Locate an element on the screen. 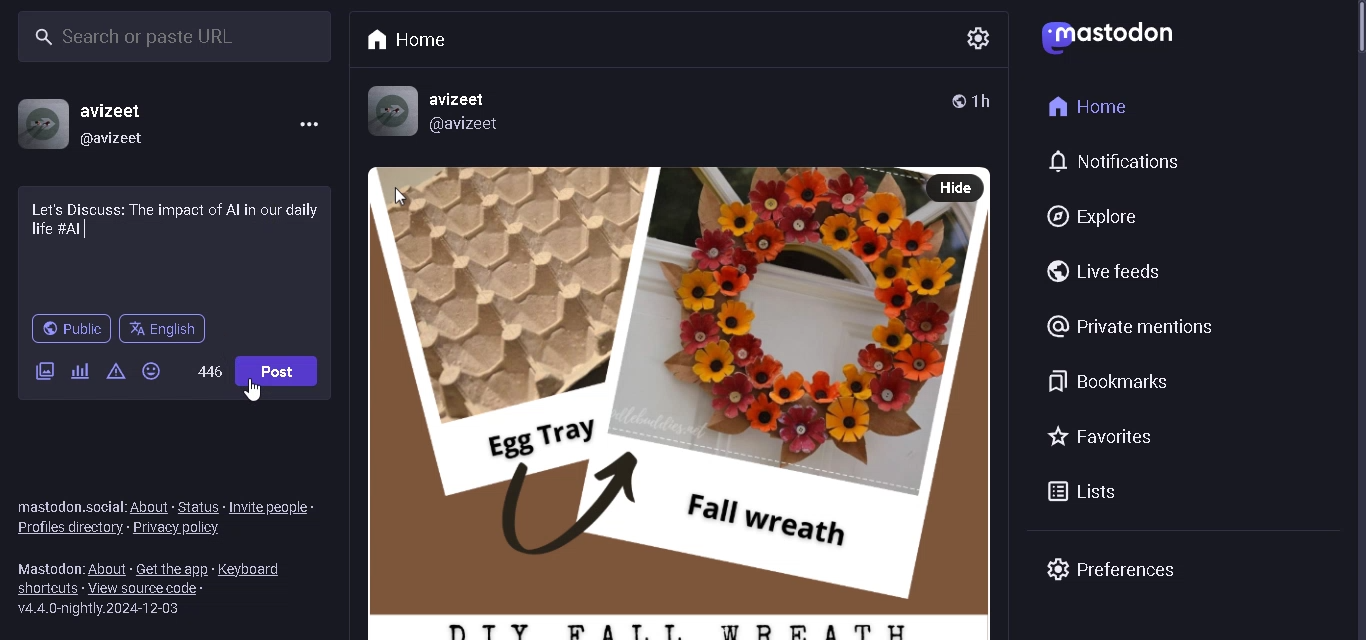 This screenshot has width=1366, height=640. DISCUSSION CONTENT is located at coordinates (173, 219).